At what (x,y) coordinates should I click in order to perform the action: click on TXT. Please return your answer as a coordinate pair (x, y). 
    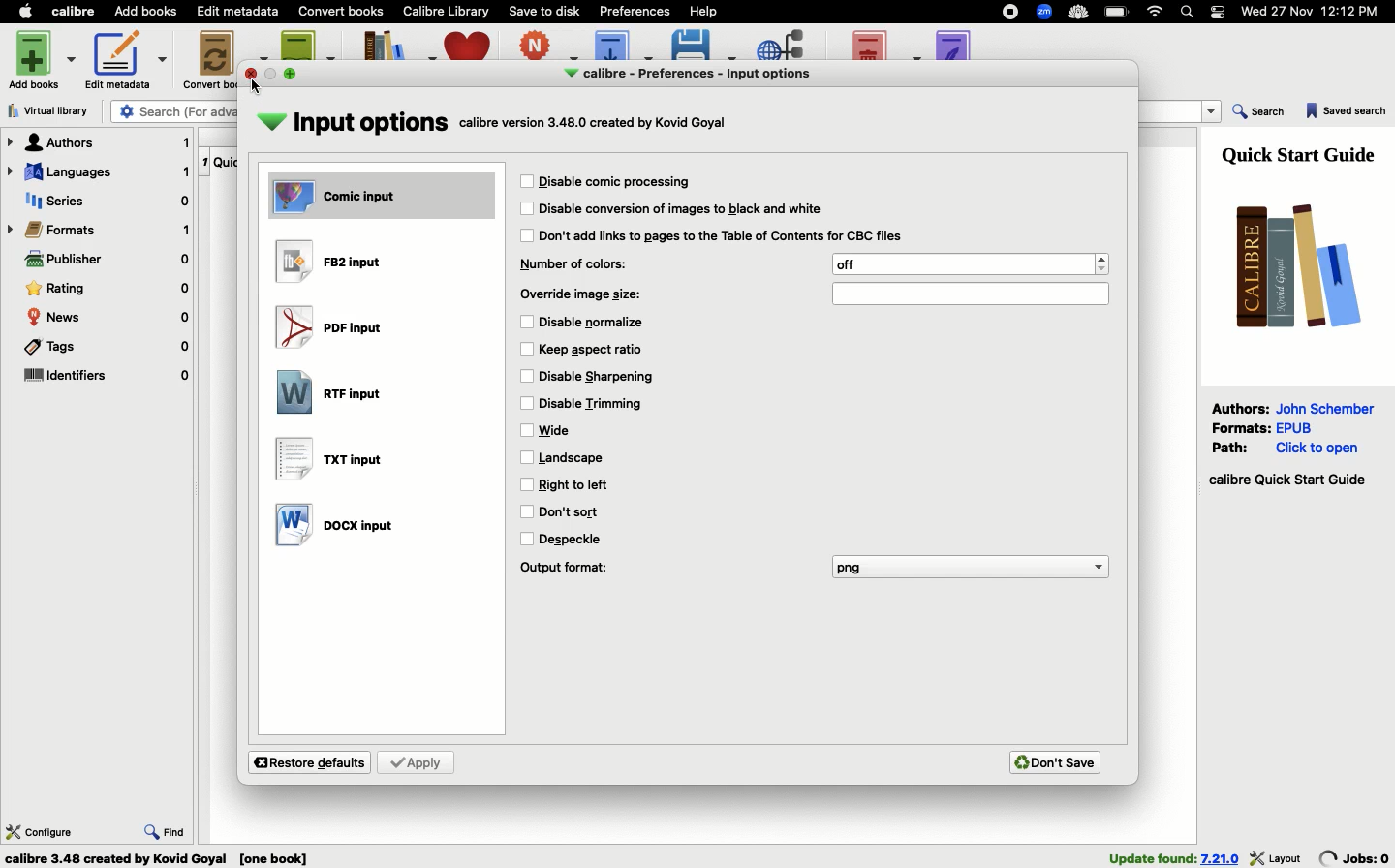
    Looking at the image, I should click on (329, 461).